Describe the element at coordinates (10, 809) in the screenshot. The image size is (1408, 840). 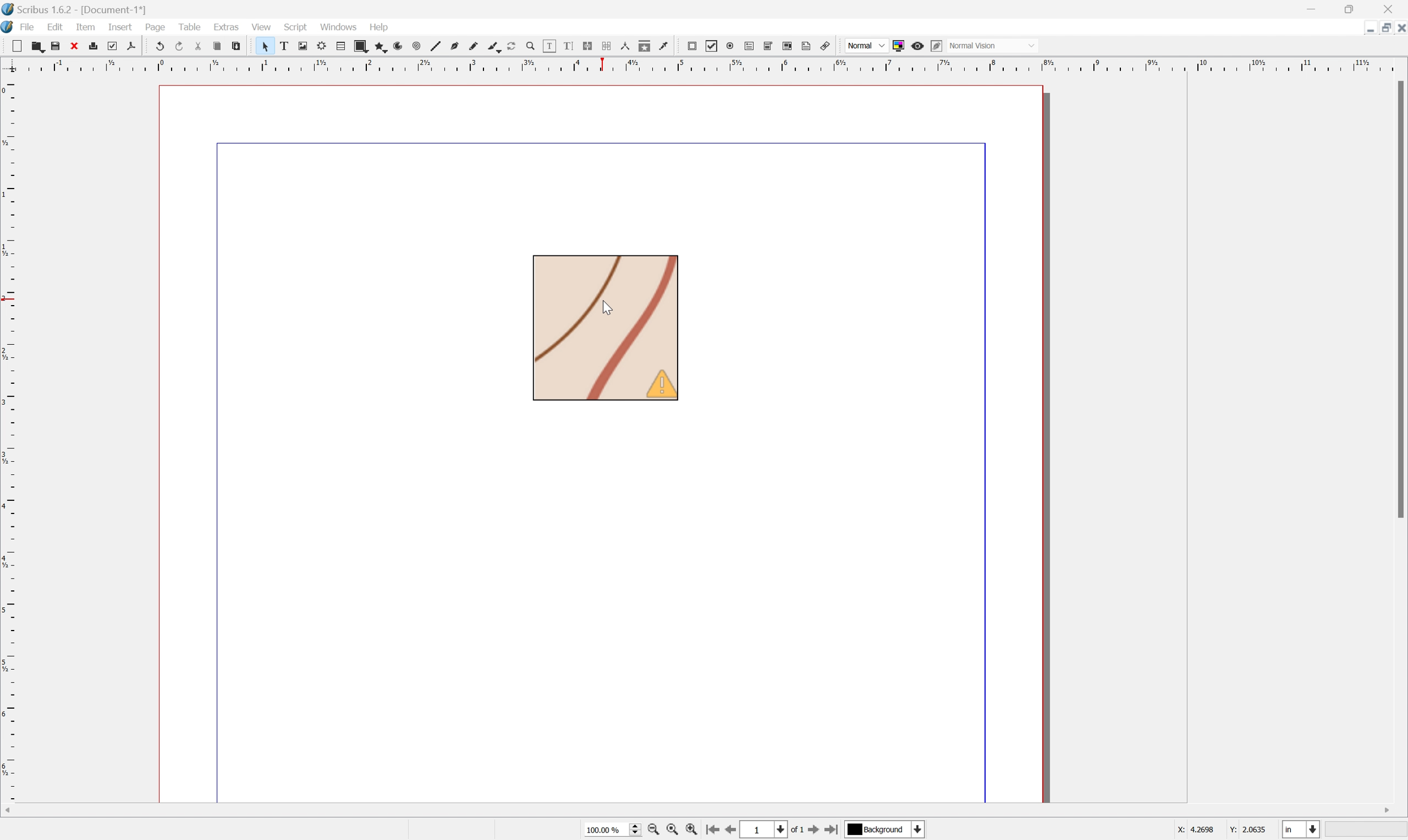
I see `Scroll left` at that location.